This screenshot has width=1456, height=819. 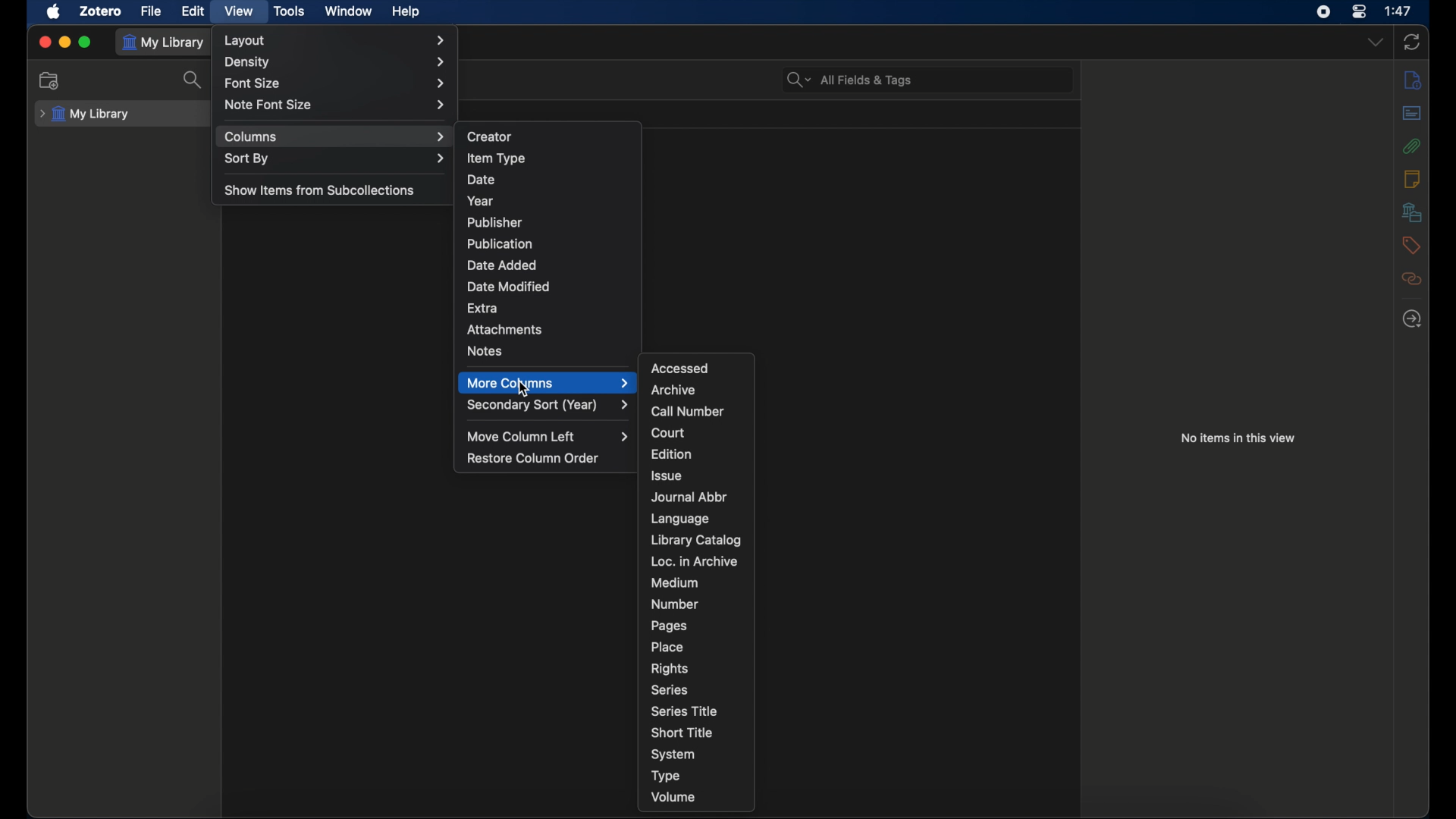 What do you see at coordinates (1238, 438) in the screenshot?
I see `no items in this view` at bounding box center [1238, 438].